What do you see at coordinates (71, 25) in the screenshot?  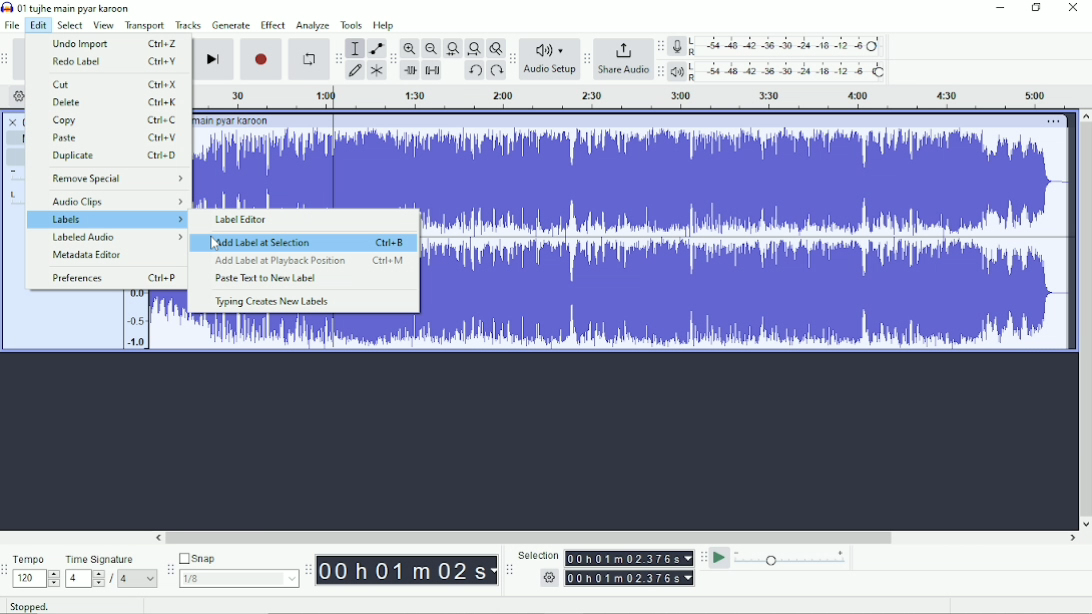 I see `Select` at bounding box center [71, 25].